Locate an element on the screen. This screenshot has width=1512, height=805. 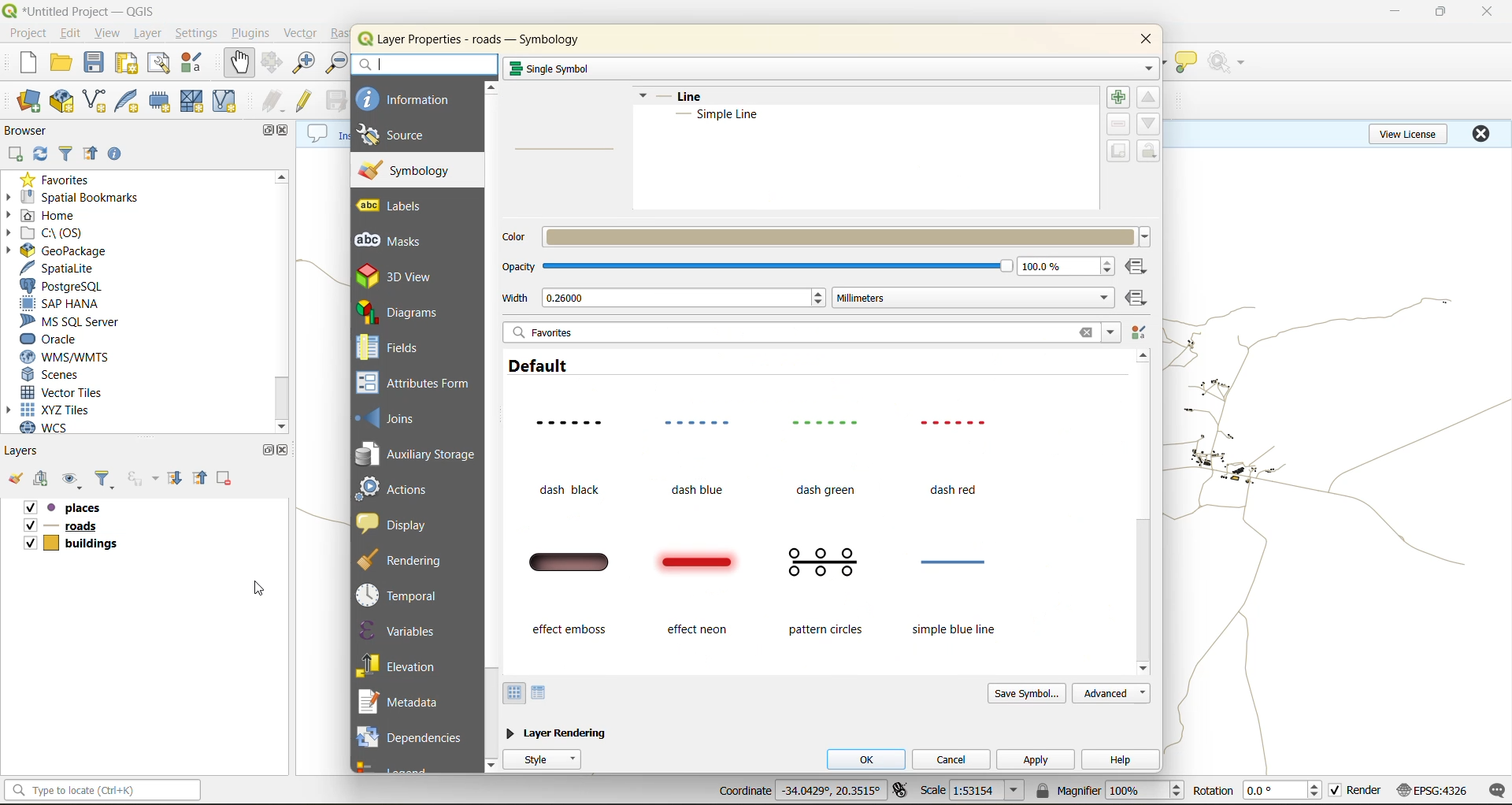
3d view is located at coordinates (398, 276).